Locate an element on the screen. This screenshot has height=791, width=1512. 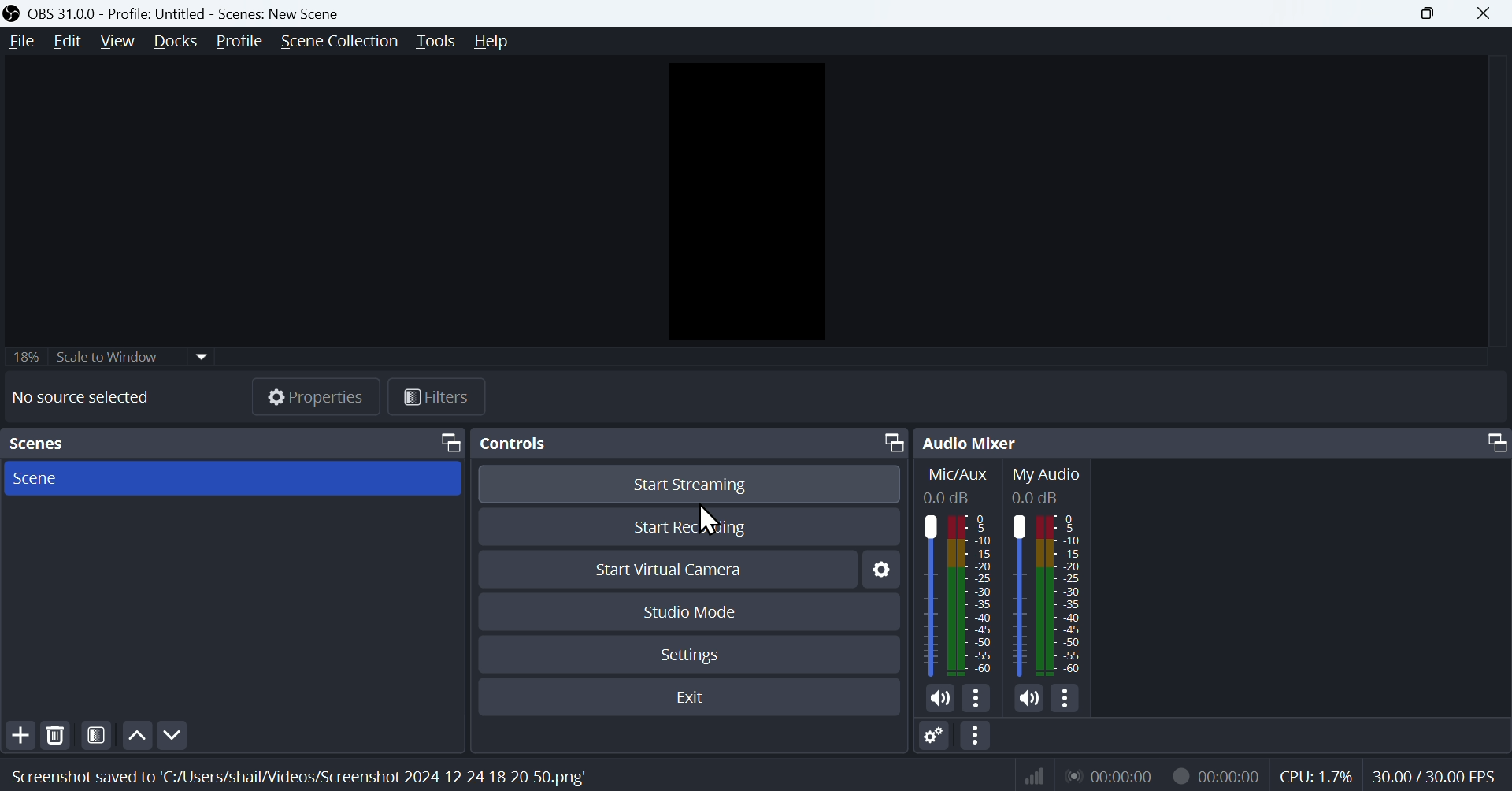
View is located at coordinates (114, 42).